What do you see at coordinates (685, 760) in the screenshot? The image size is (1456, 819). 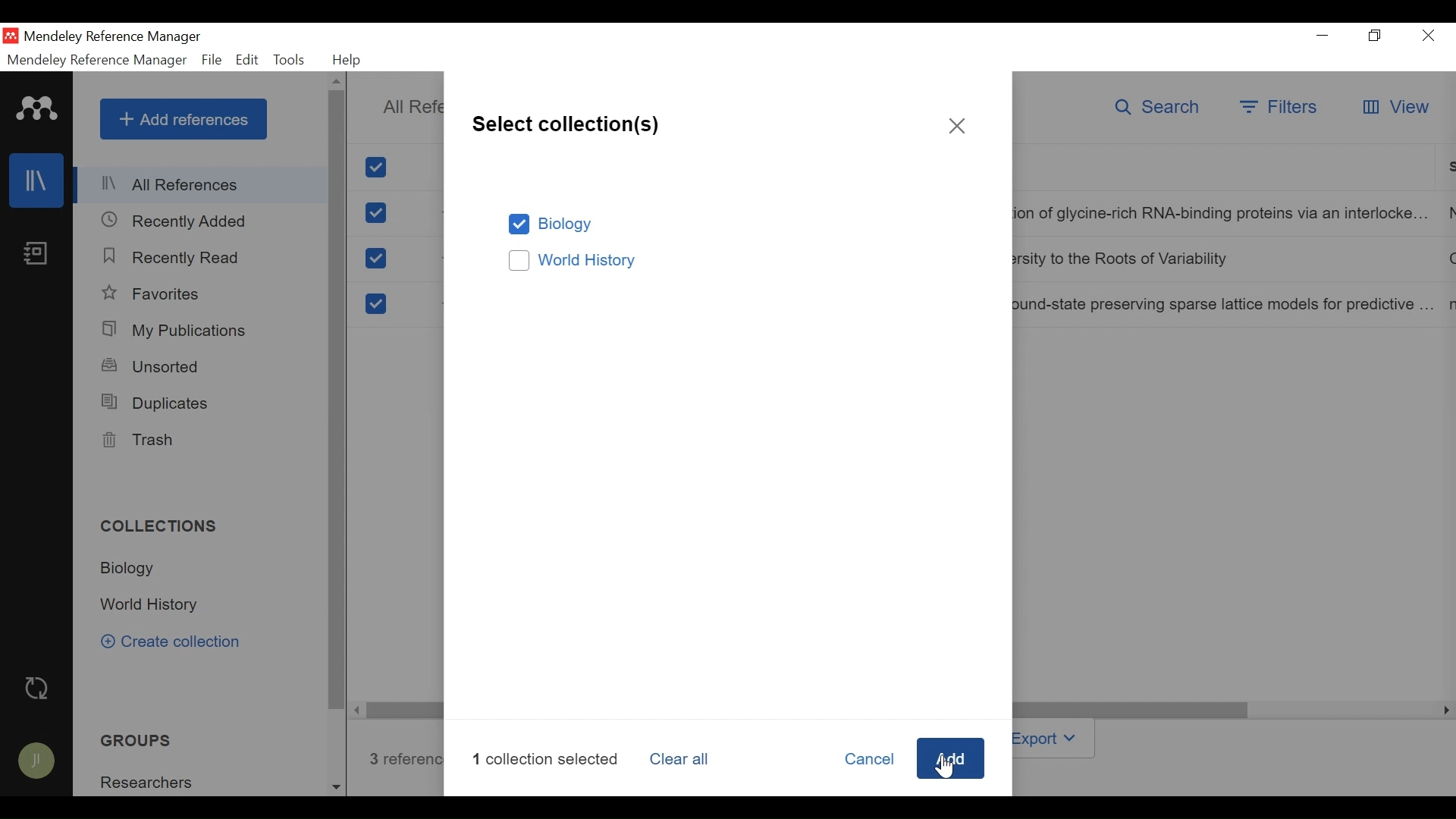 I see `Clear All` at bounding box center [685, 760].